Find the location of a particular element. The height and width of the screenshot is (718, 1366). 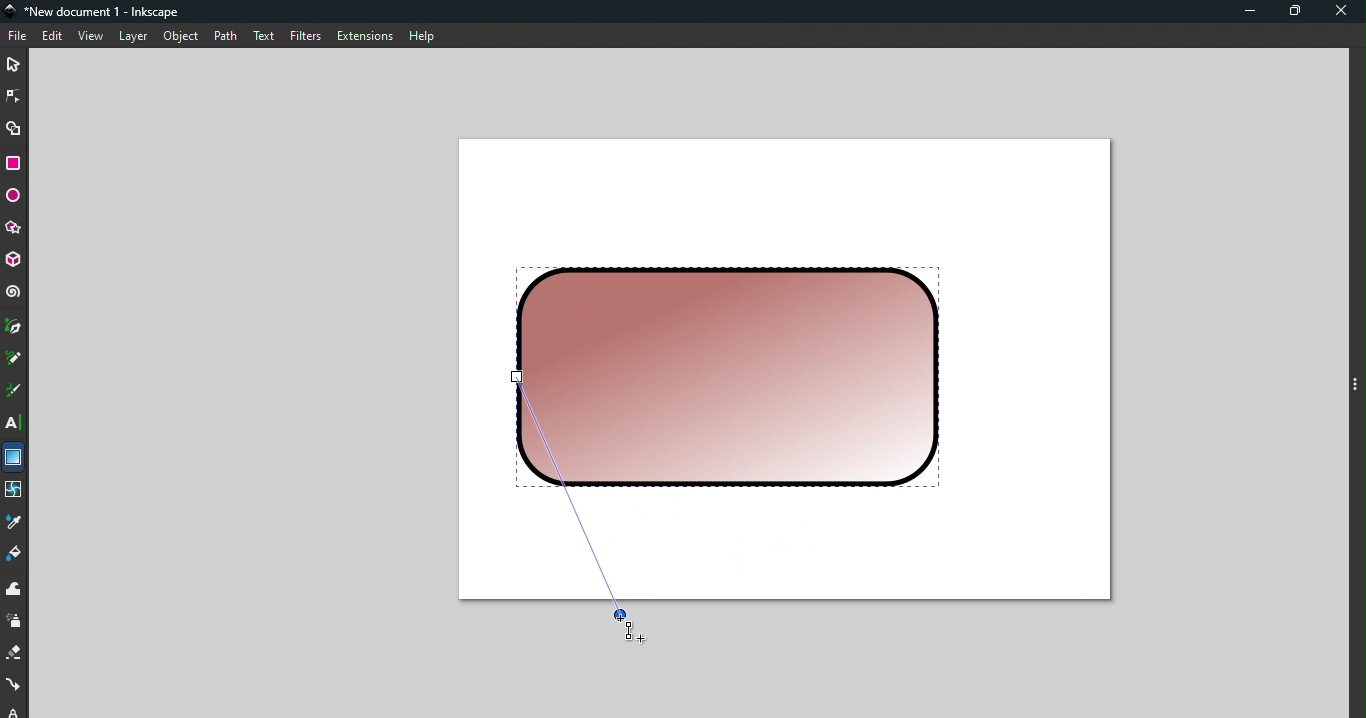

Tweak tool is located at coordinates (14, 590).